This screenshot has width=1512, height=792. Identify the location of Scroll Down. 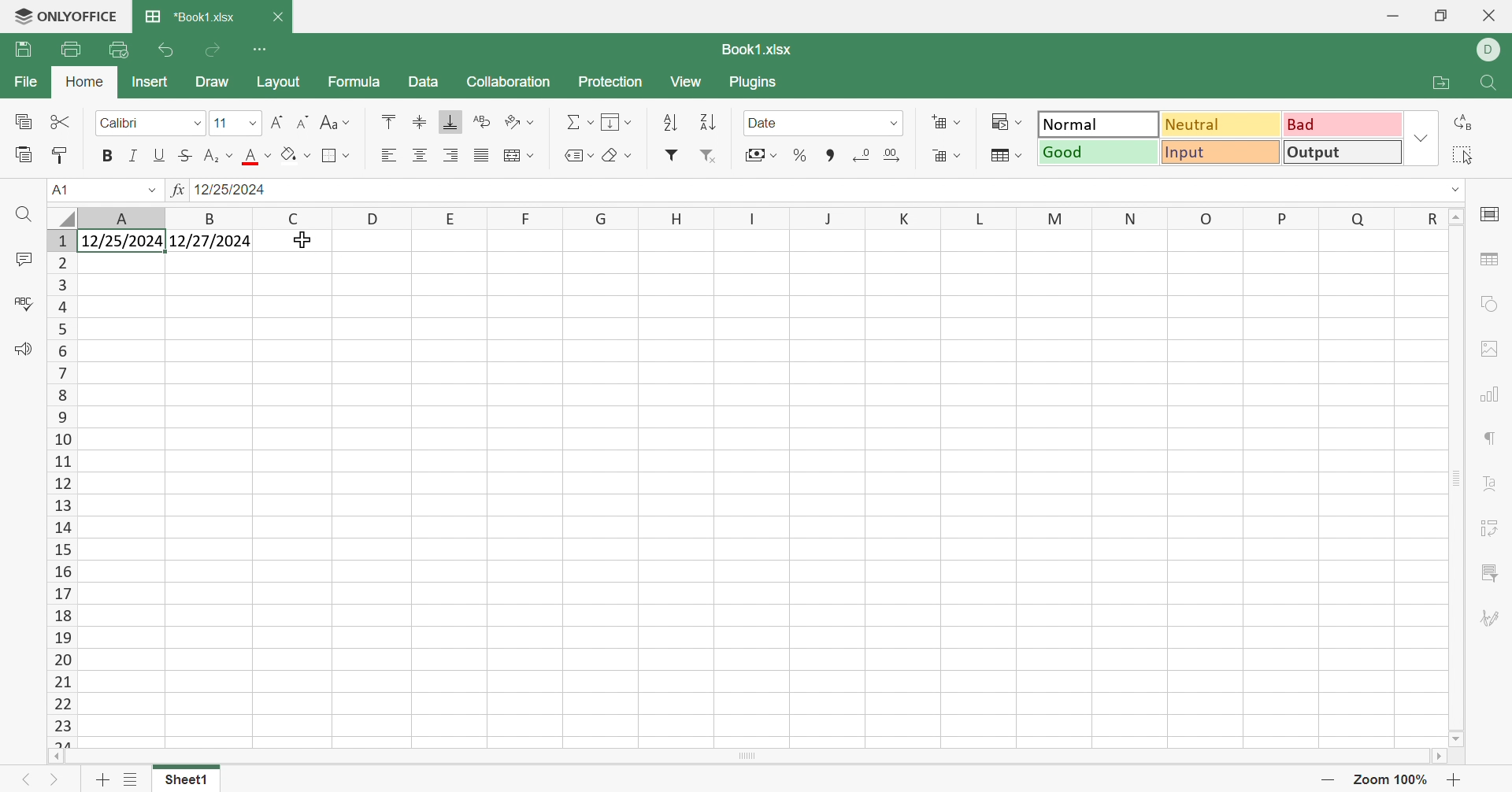
(1454, 741).